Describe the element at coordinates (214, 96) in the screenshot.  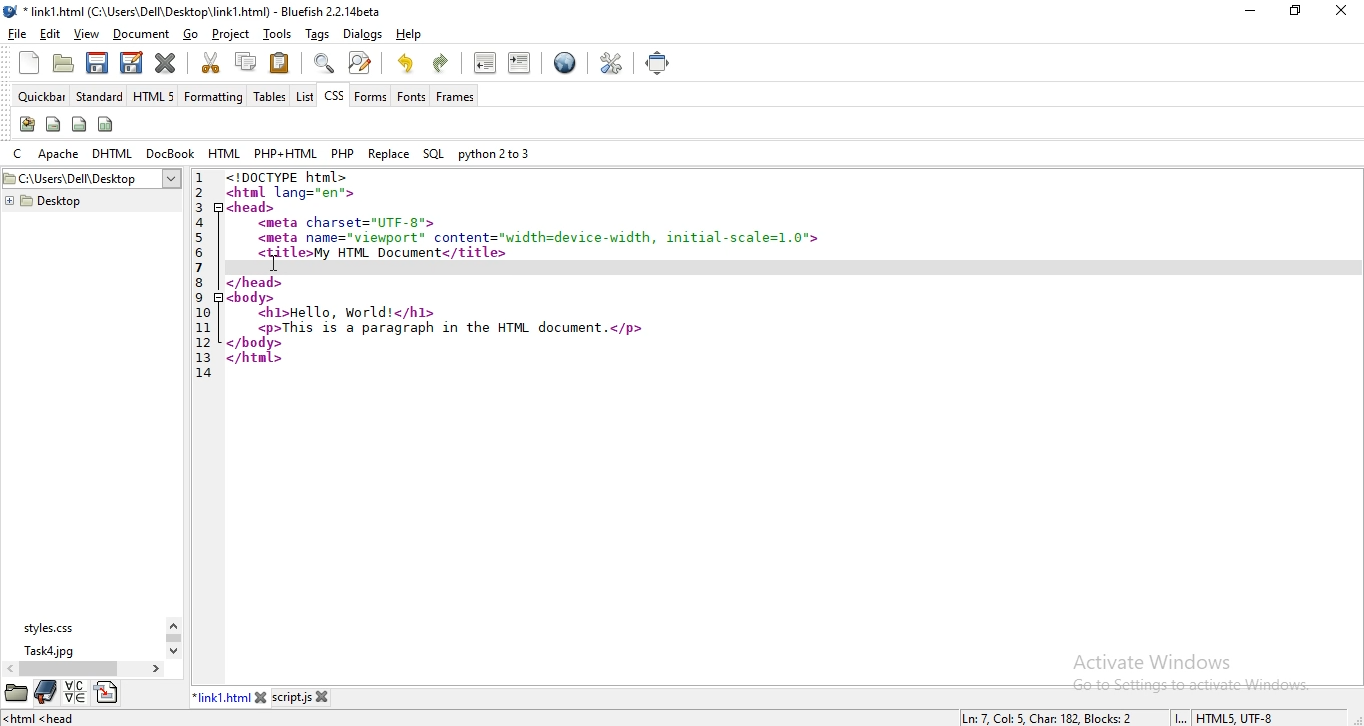
I see `formatting` at that location.